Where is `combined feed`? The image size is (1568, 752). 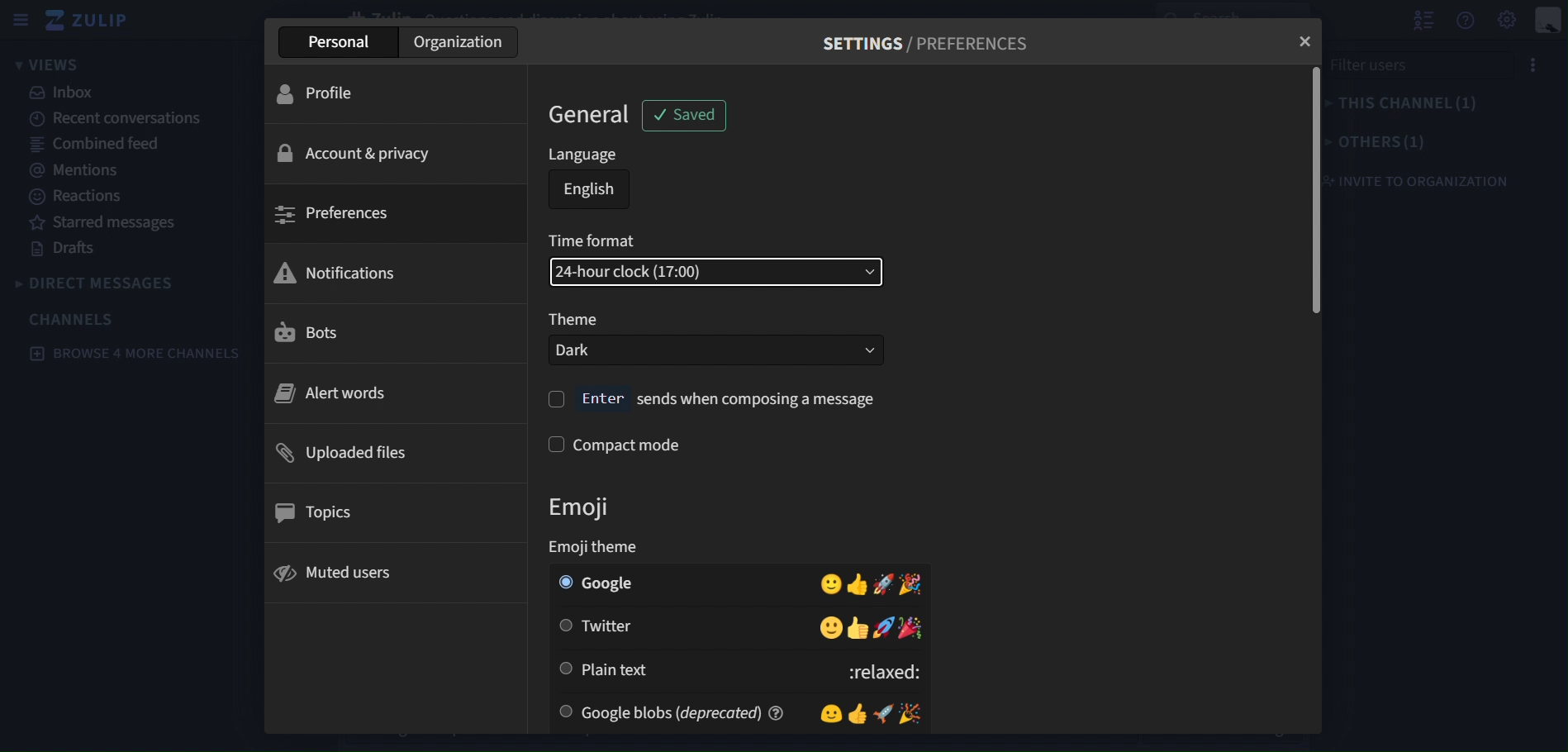
combined feed is located at coordinates (93, 143).